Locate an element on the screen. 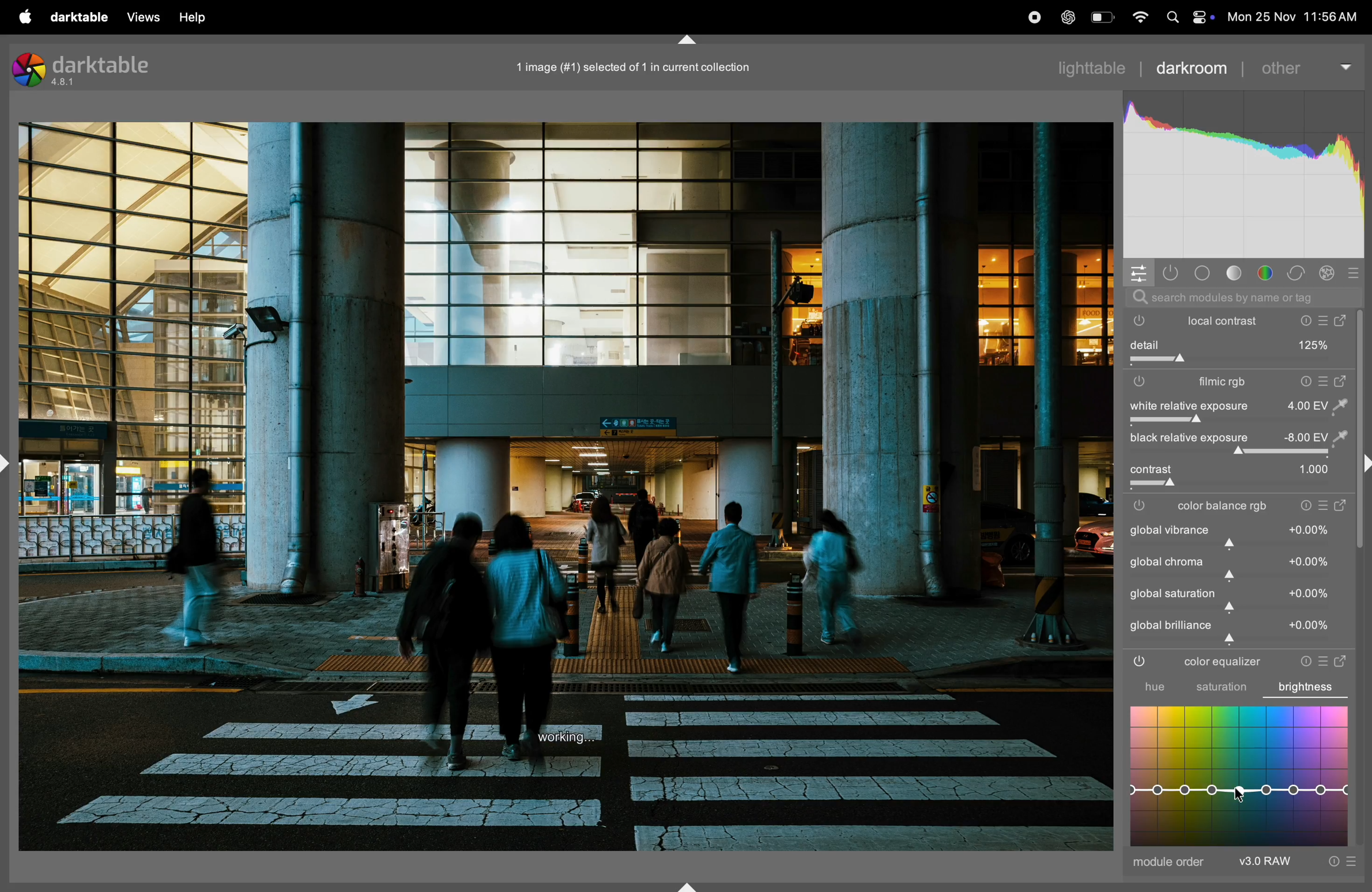  Collapse or expand  is located at coordinates (9, 463).